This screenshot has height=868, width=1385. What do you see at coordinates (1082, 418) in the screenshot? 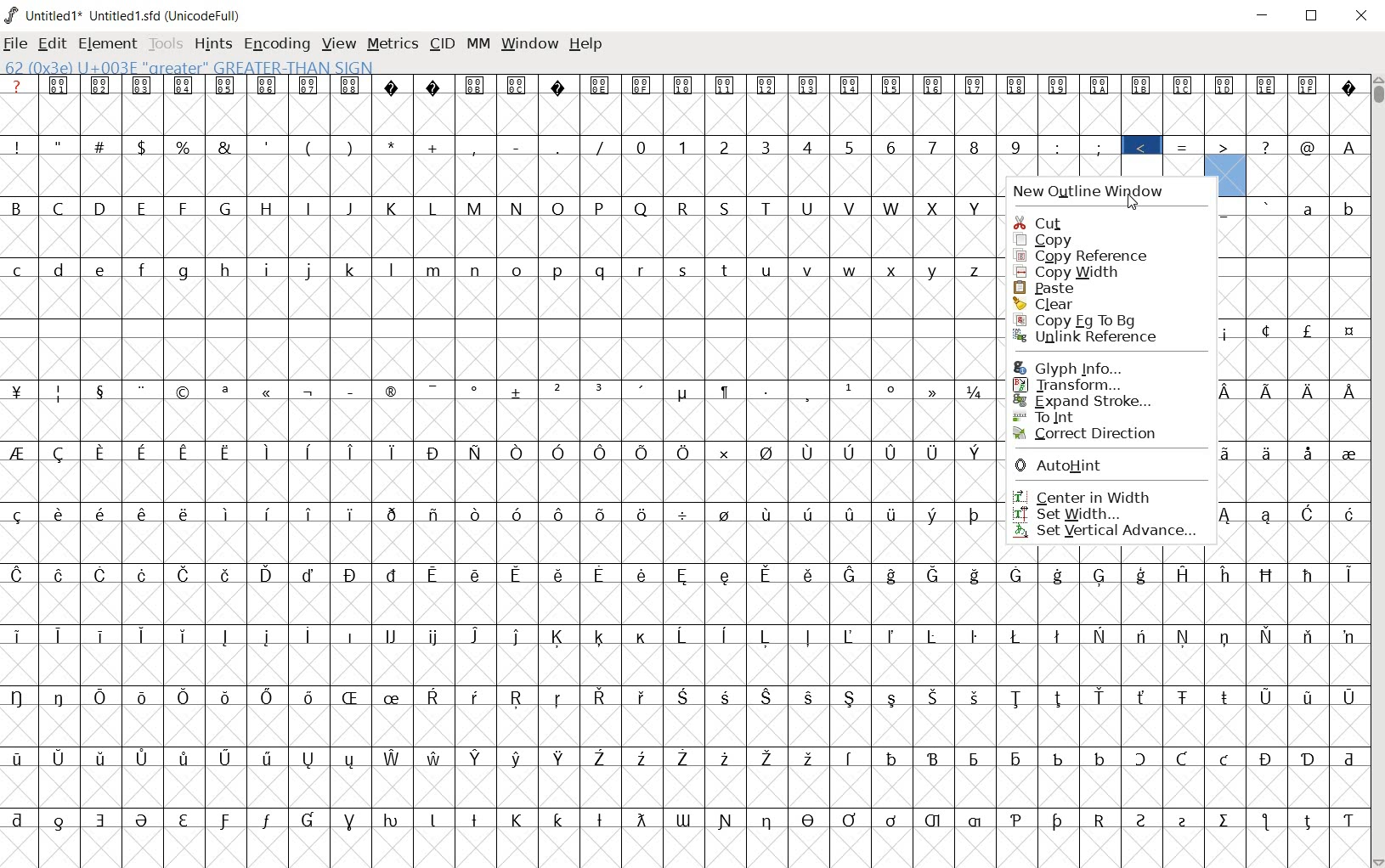
I see `To Int` at bounding box center [1082, 418].